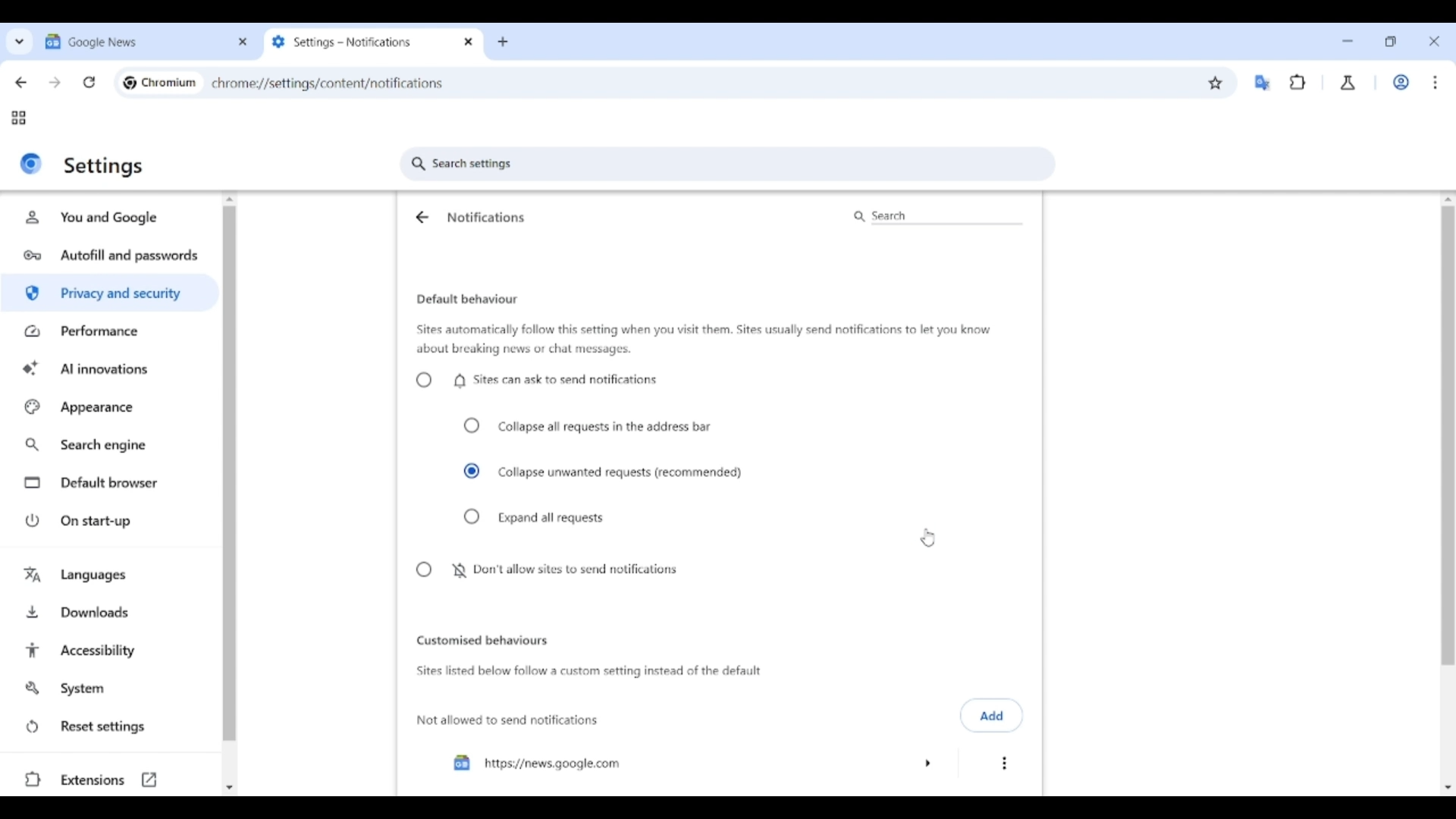 Image resolution: width=1456 pixels, height=819 pixels. Describe the element at coordinates (728, 164) in the screenshot. I see `Search settings` at that location.